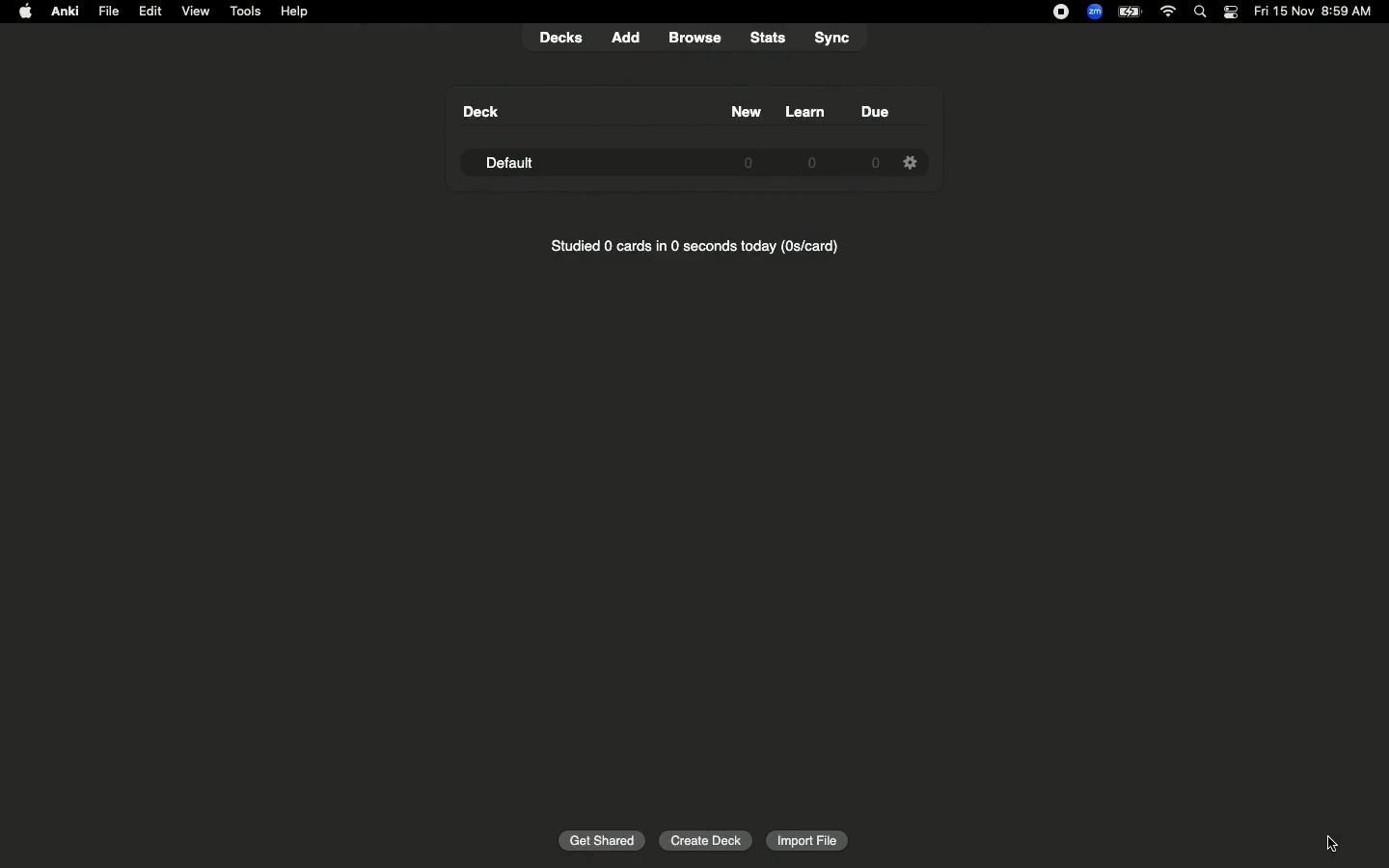 The width and height of the screenshot is (1389, 868). Describe the element at coordinates (604, 839) in the screenshot. I see `Get shared` at that location.